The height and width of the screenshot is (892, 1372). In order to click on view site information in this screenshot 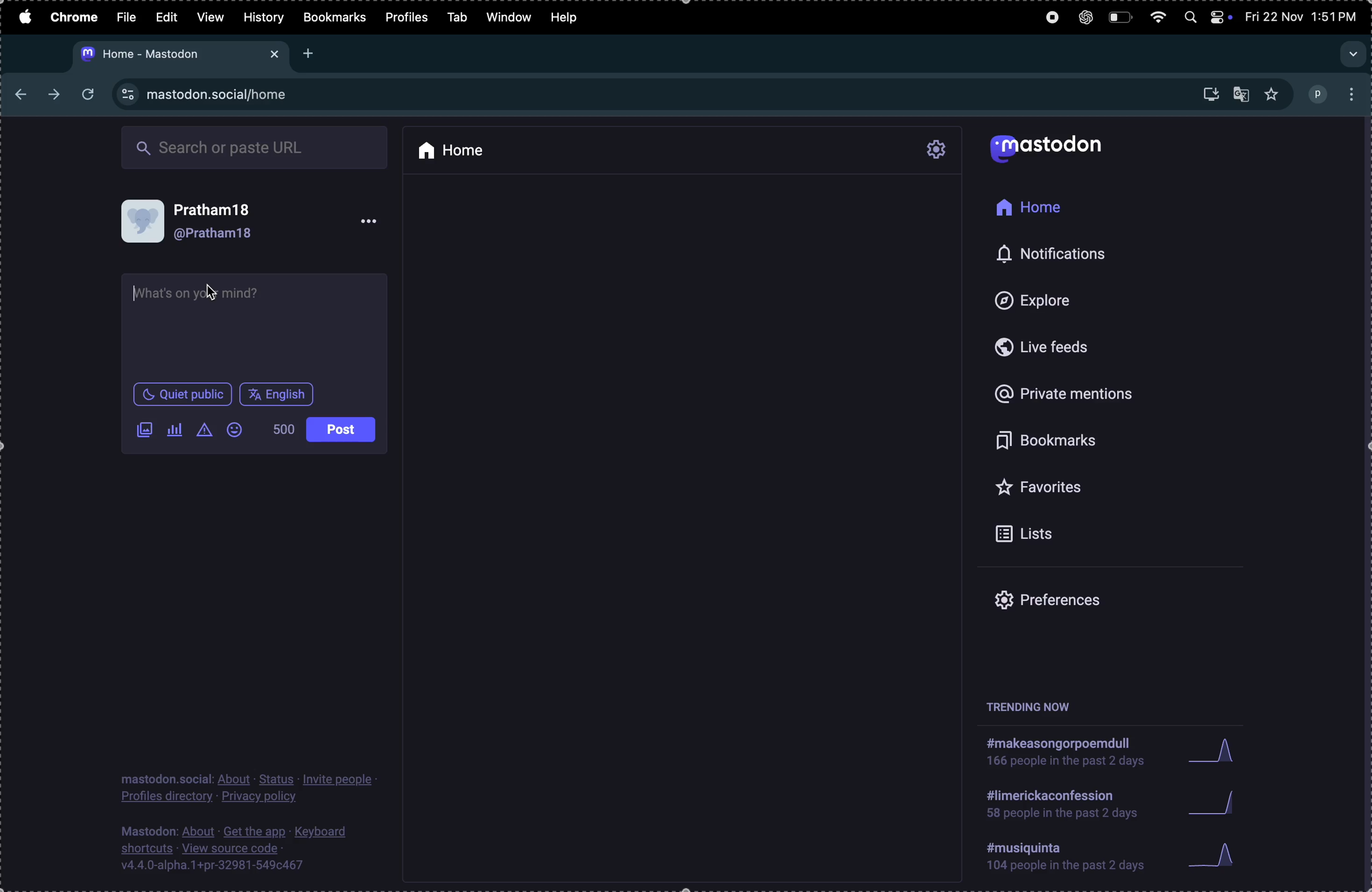, I will do `click(126, 95)`.